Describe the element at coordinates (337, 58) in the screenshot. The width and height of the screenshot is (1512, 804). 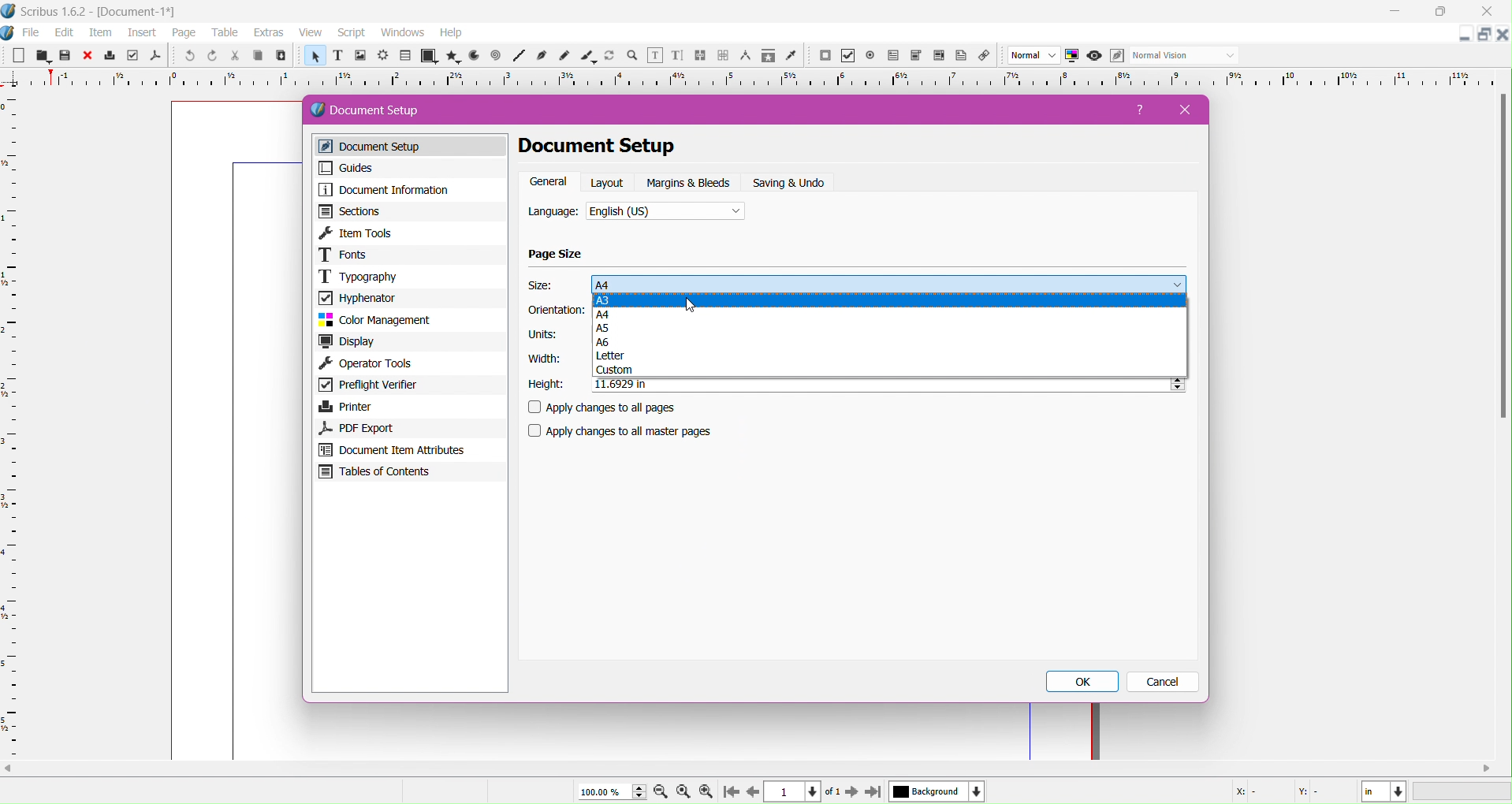
I see `text frame` at that location.